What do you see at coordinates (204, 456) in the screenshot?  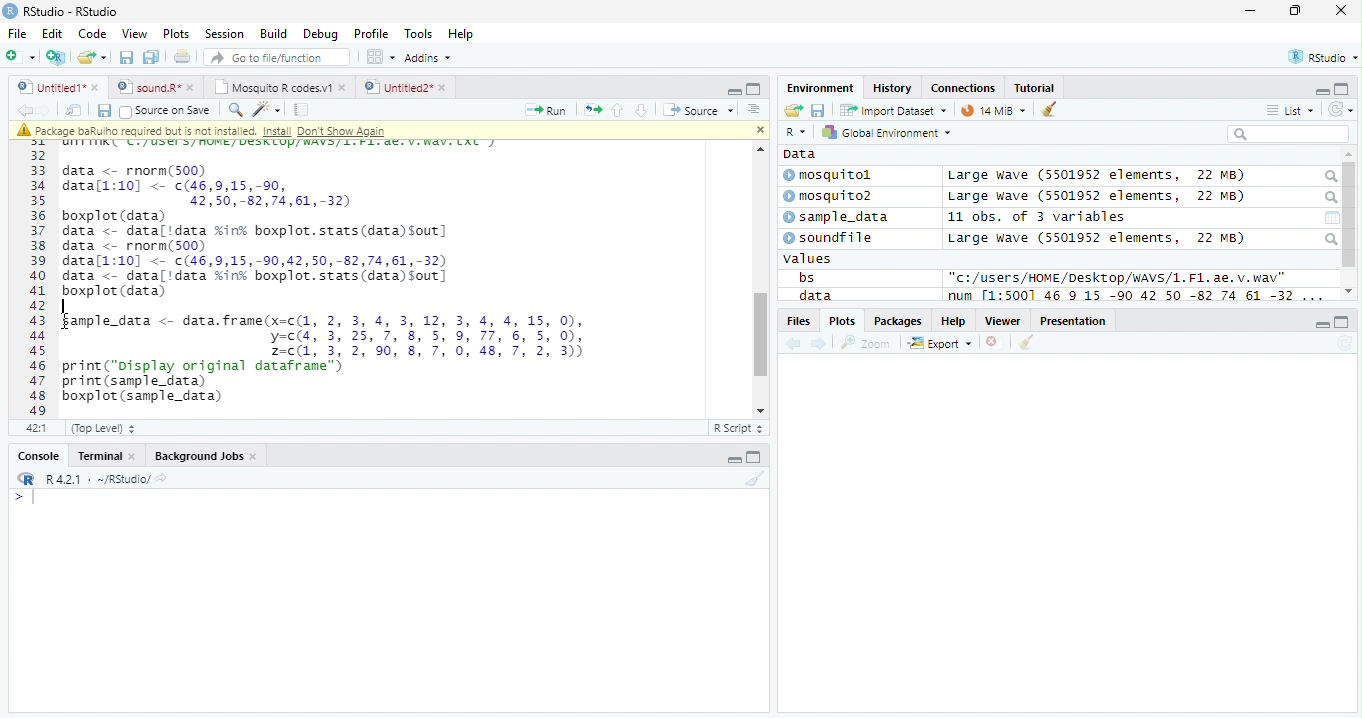 I see `Background Jobs` at bounding box center [204, 456].